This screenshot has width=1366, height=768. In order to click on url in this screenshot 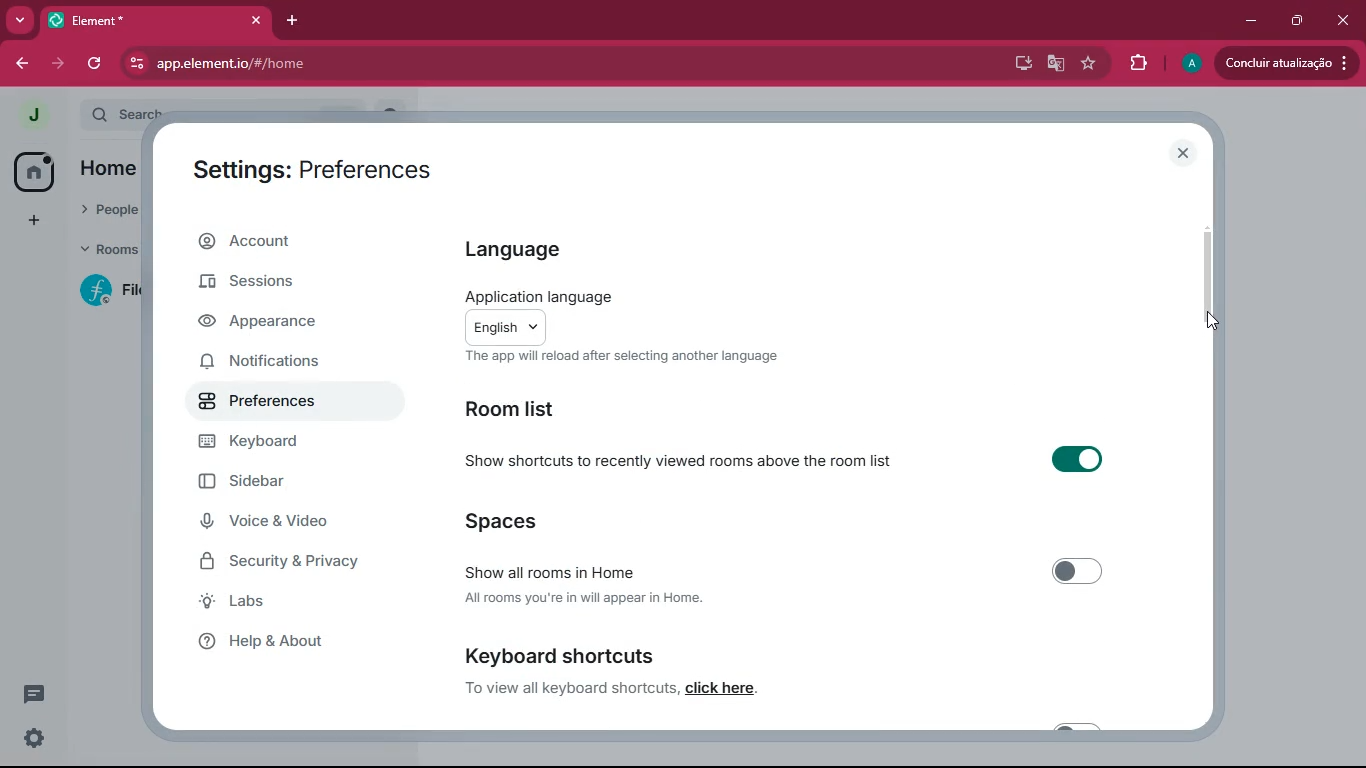, I will do `click(300, 64)`.